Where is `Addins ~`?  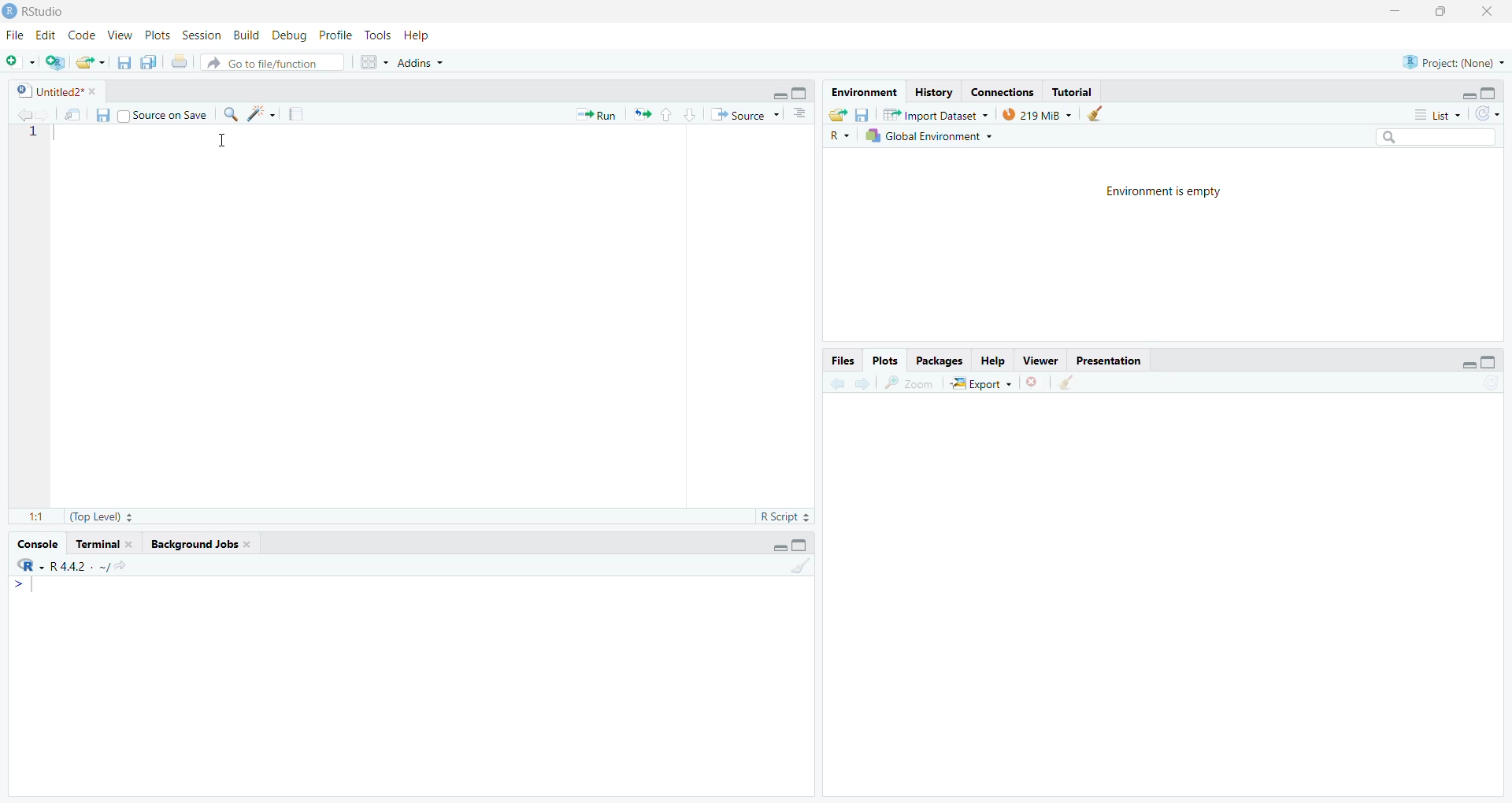
Addins ~ is located at coordinates (421, 63).